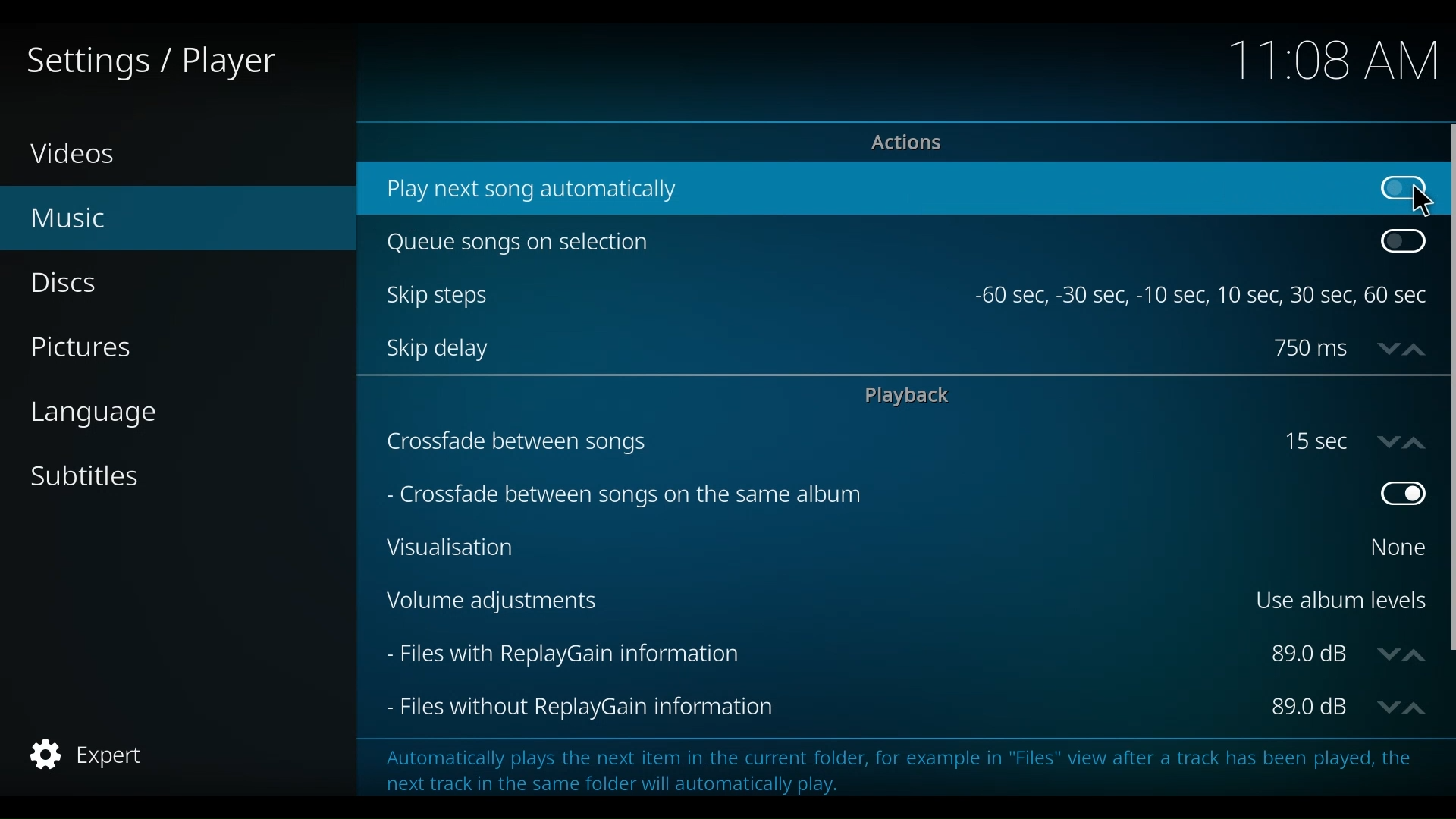  I want to click on Queue songs on selection, so click(874, 244).